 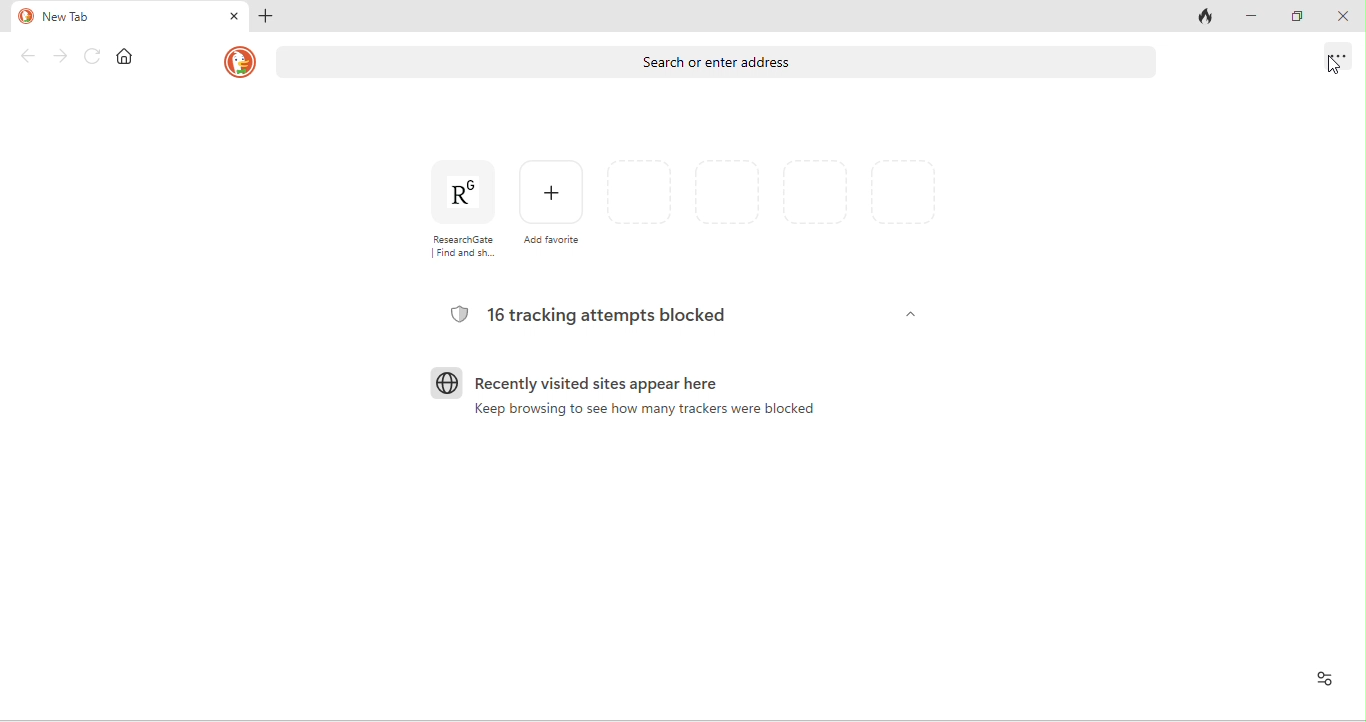 What do you see at coordinates (232, 16) in the screenshot?
I see `close tab` at bounding box center [232, 16].